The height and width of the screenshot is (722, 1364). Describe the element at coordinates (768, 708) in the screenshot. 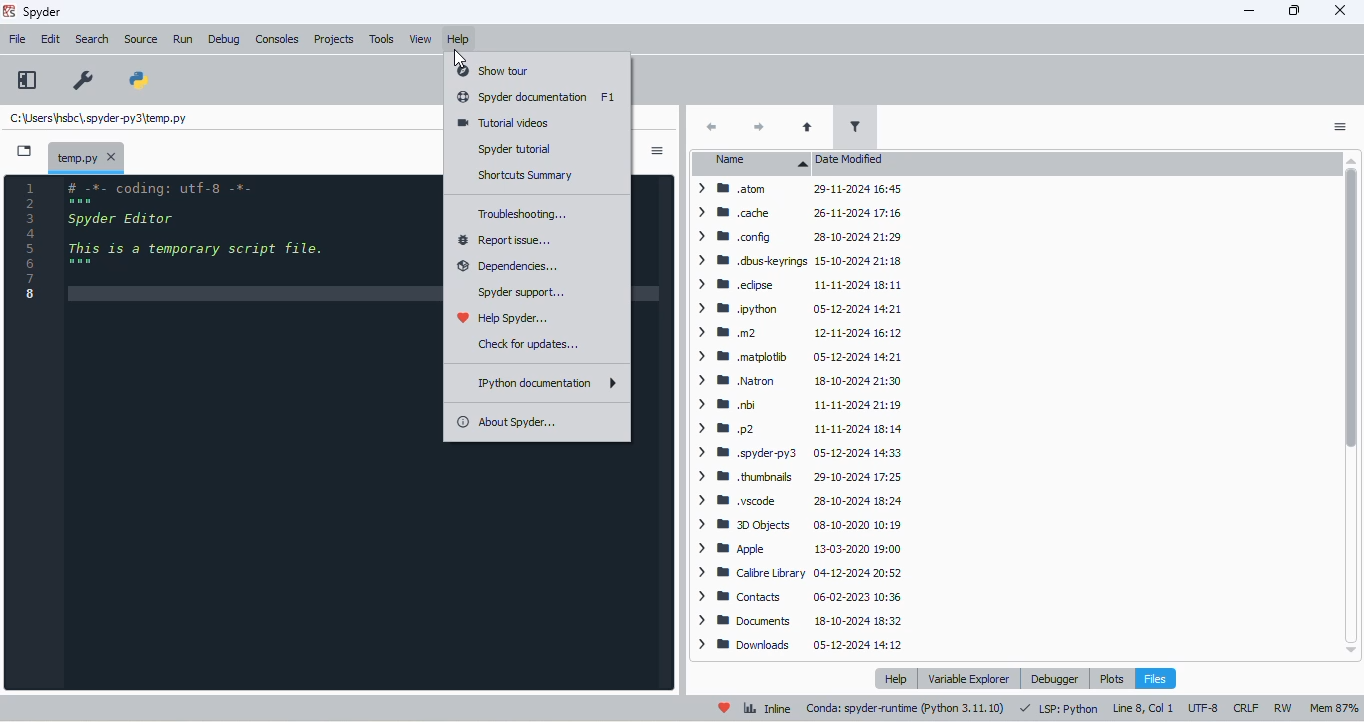

I see `inline` at that location.